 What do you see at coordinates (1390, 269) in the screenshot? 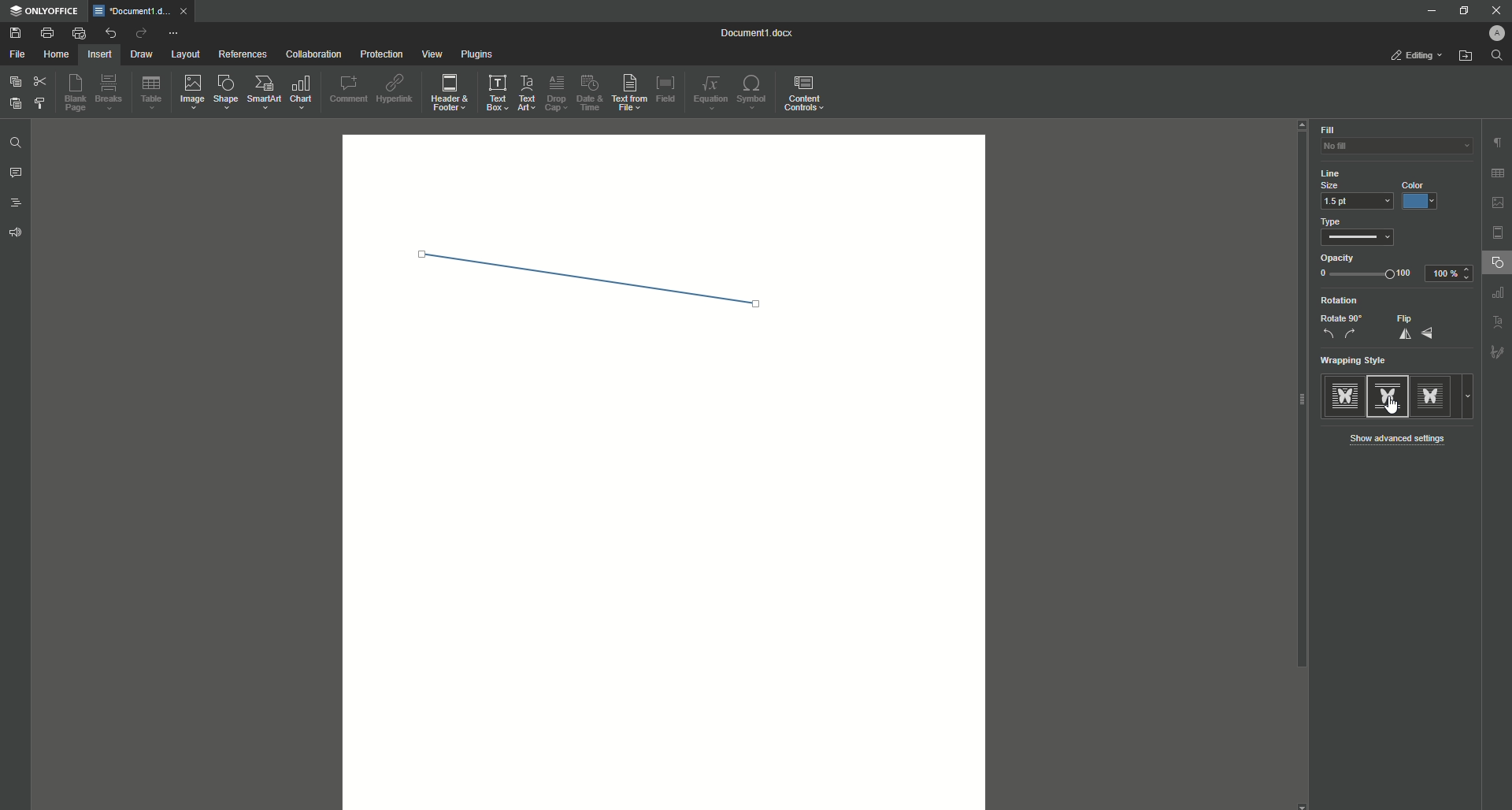
I see `Opacity` at bounding box center [1390, 269].